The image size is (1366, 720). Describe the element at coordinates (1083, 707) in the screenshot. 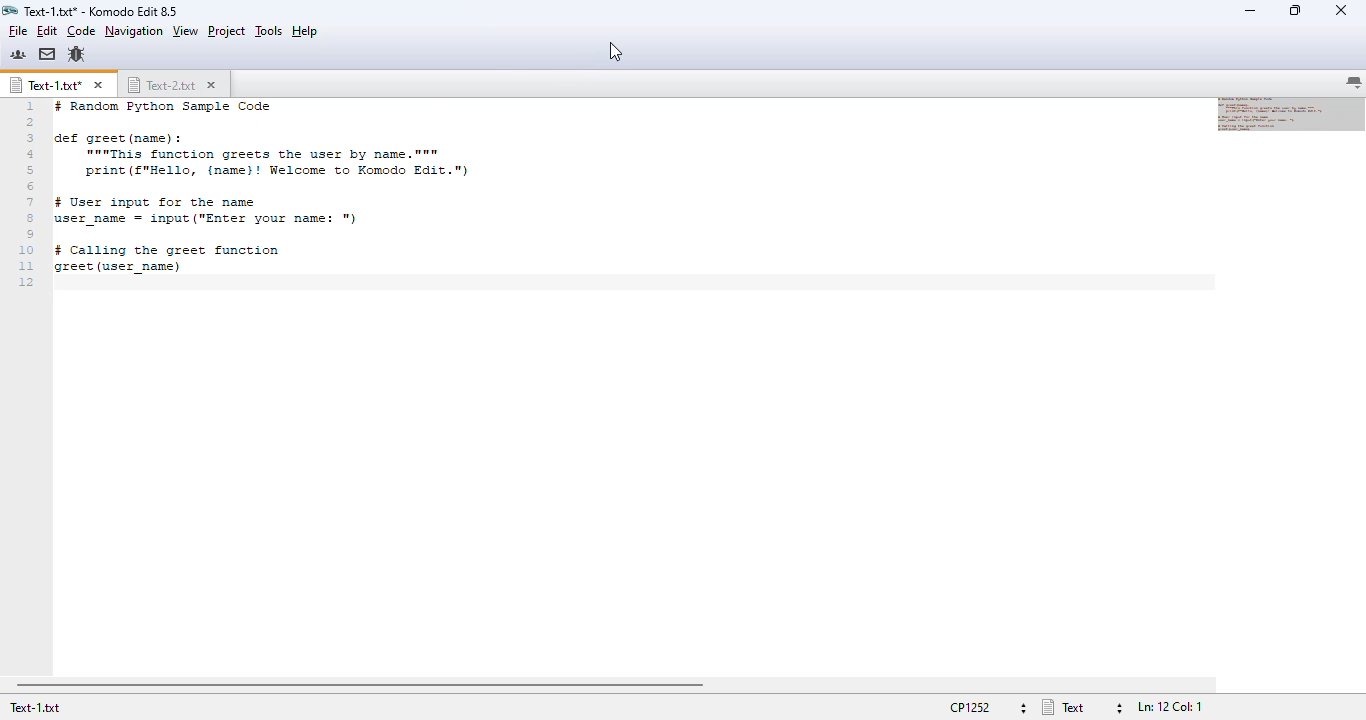

I see `file type` at that location.